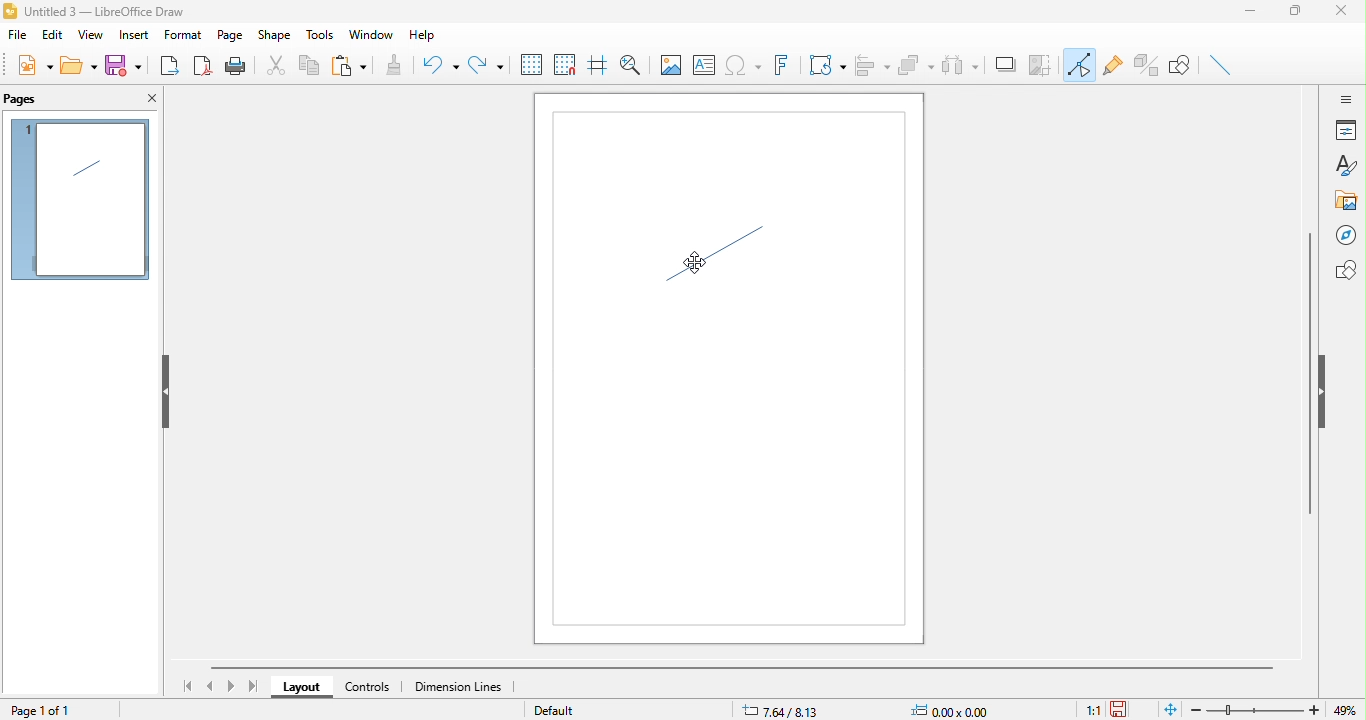  I want to click on insert, so click(132, 37).